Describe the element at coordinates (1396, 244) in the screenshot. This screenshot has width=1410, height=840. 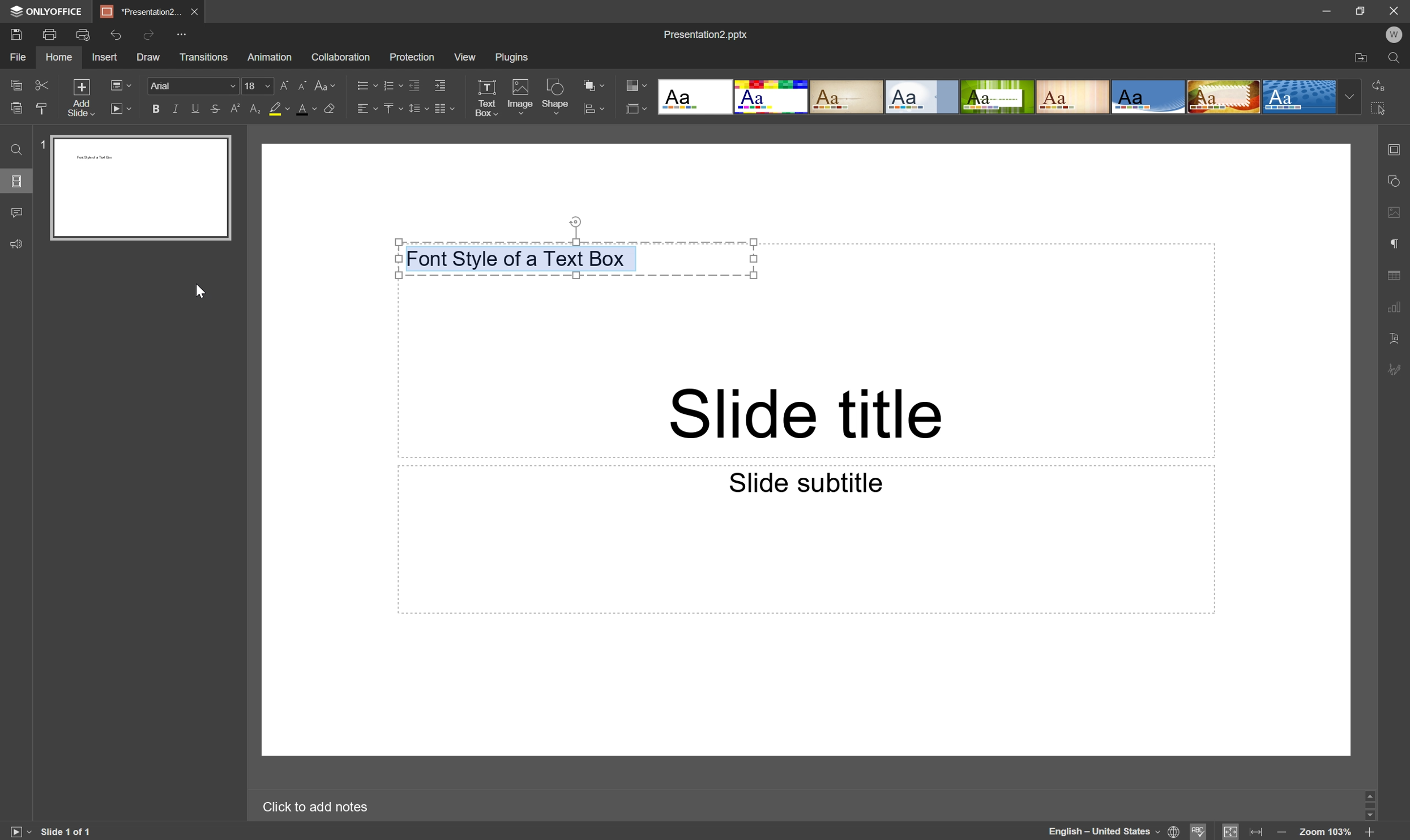
I see `Paragraph settings` at that location.